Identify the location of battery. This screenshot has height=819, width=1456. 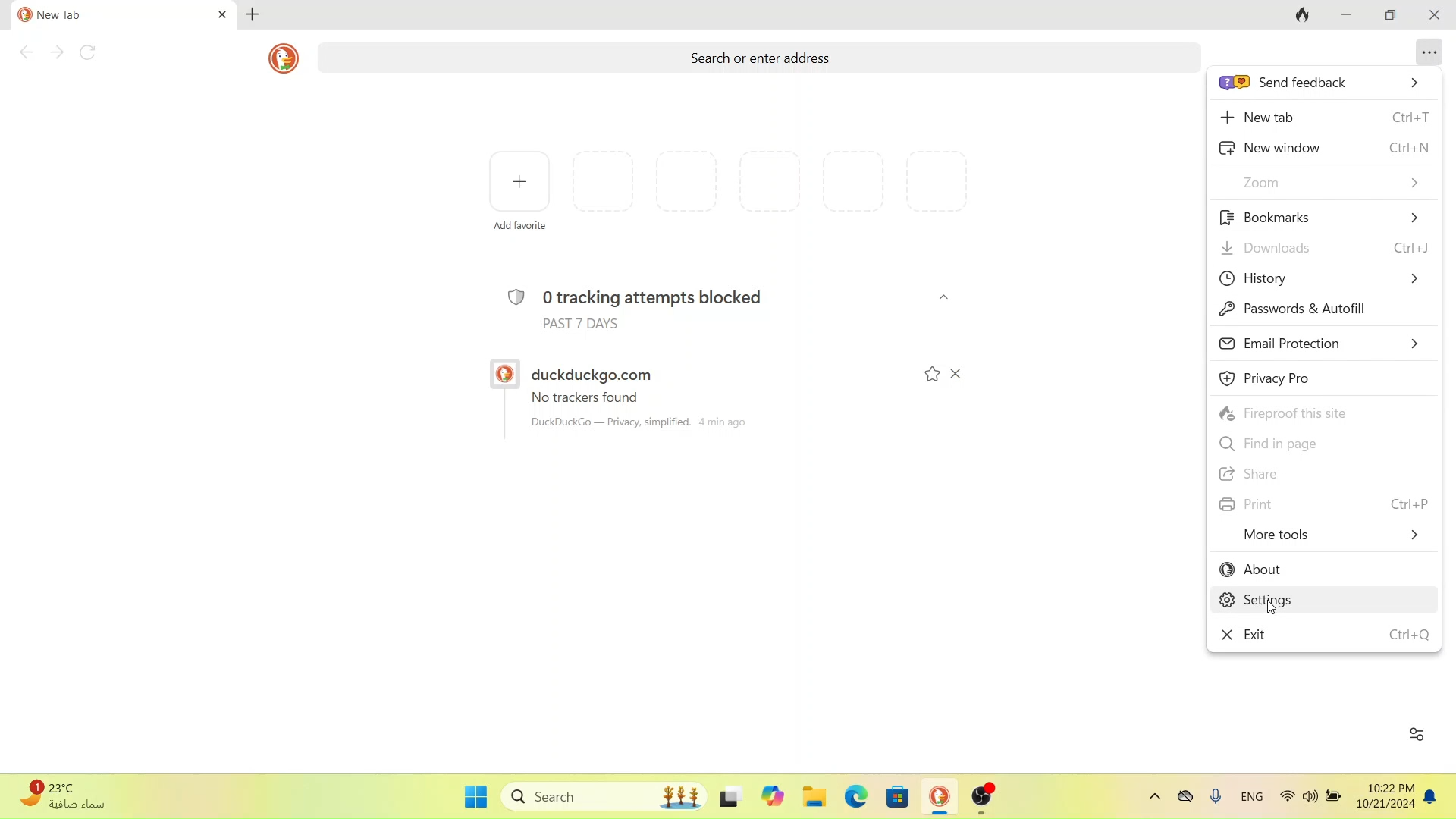
(1333, 801).